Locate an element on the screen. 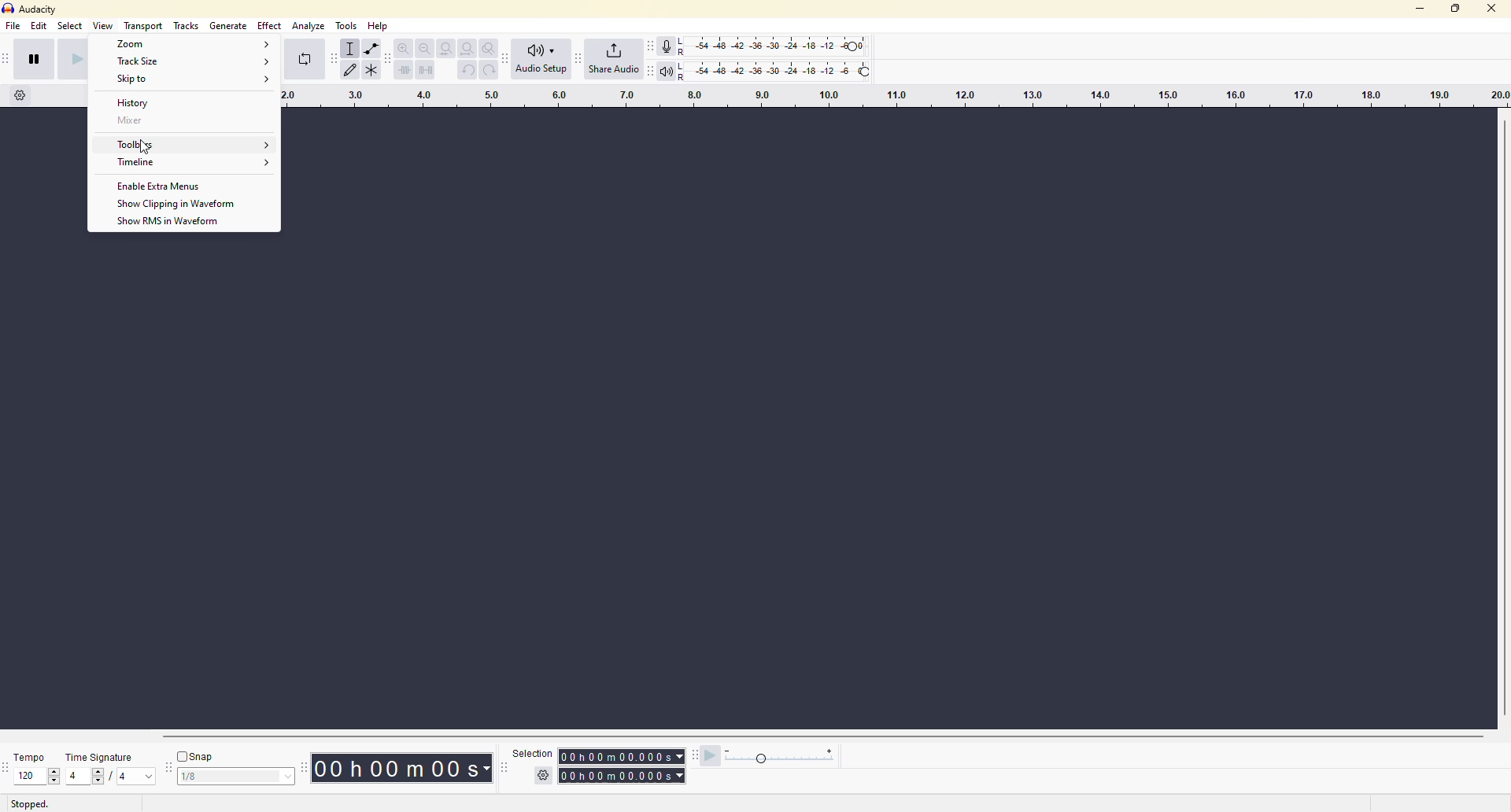  close is located at coordinates (1491, 10).